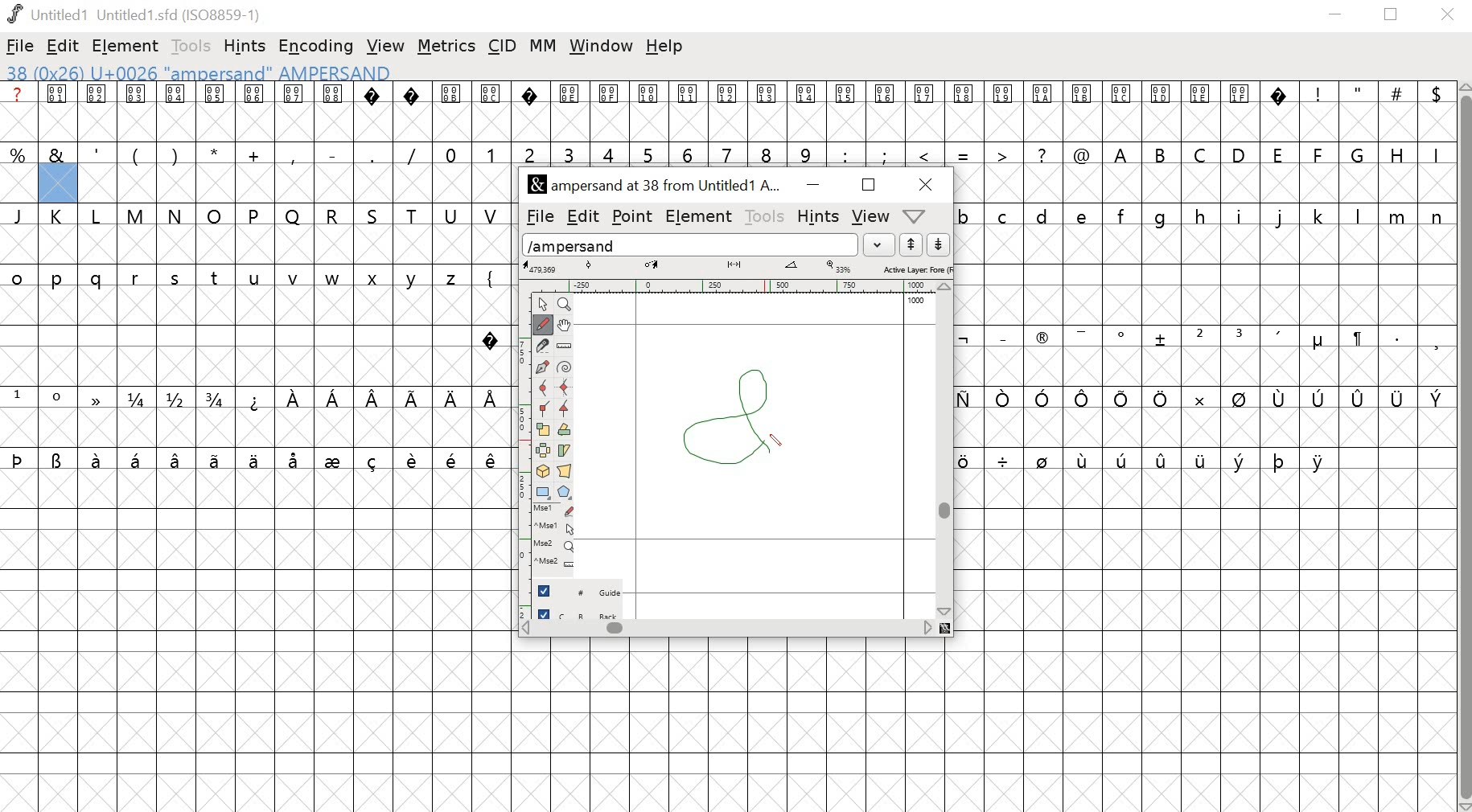 This screenshot has height=812, width=1472. Describe the element at coordinates (766, 216) in the screenshot. I see `tools` at that location.